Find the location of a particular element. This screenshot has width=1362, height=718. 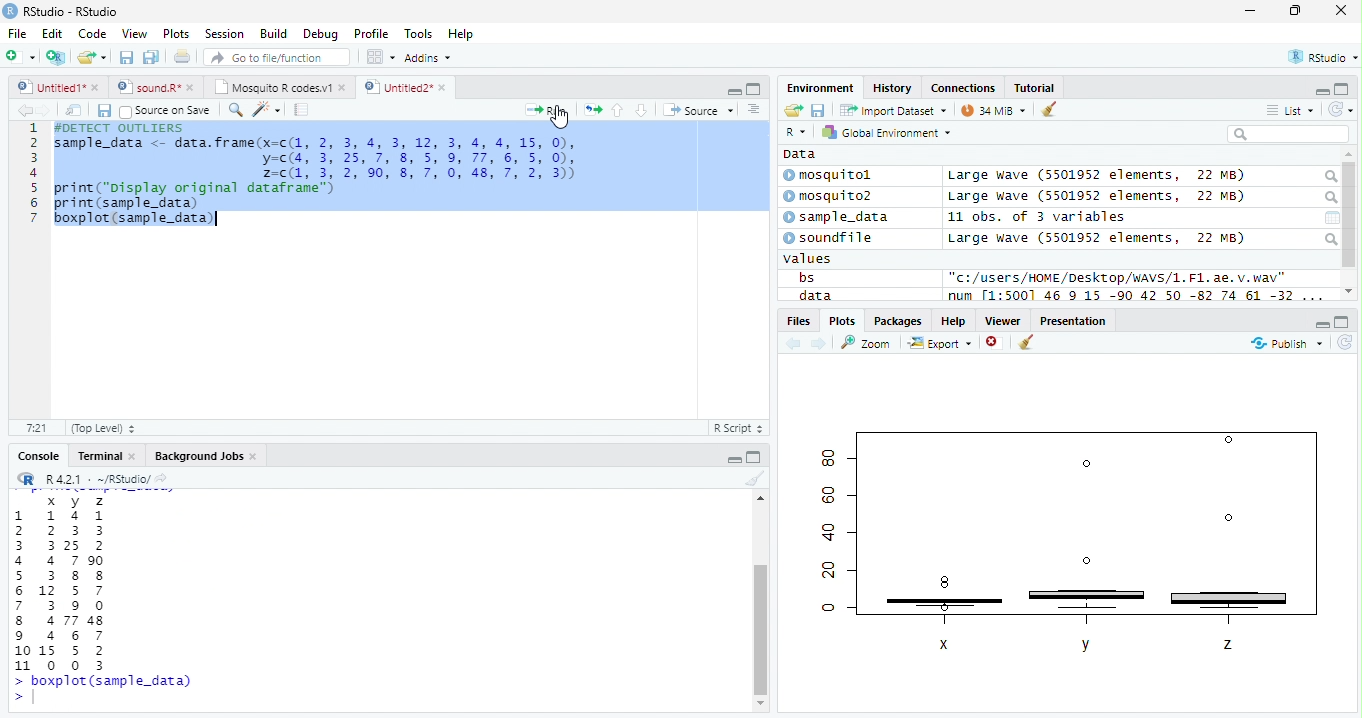

RStudio - RStudio is located at coordinates (71, 11).